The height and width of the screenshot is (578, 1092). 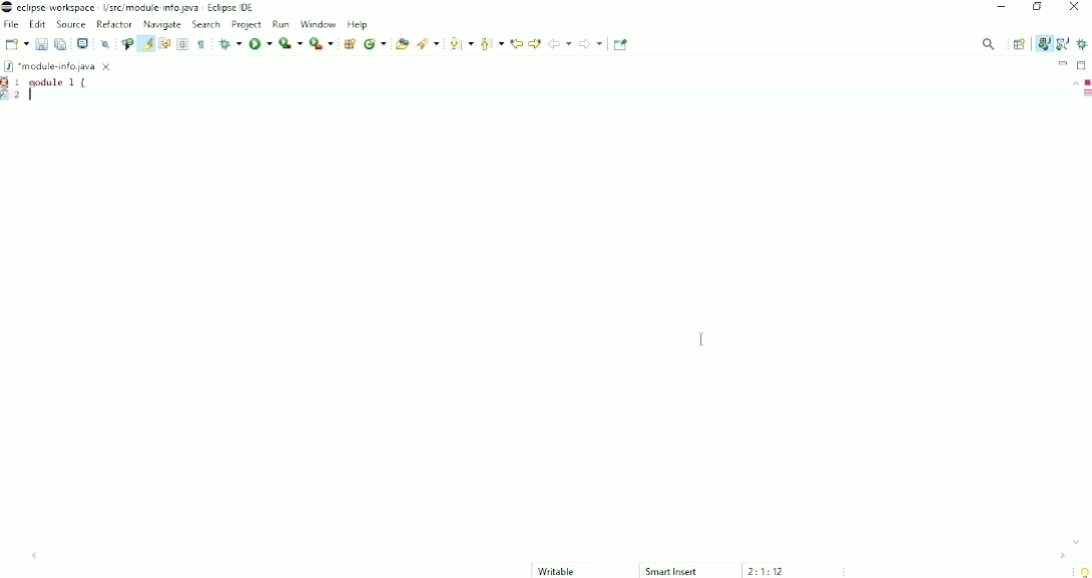 What do you see at coordinates (560, 43) in the screenshot?
I see `Back` at bounding box center [560, 43].